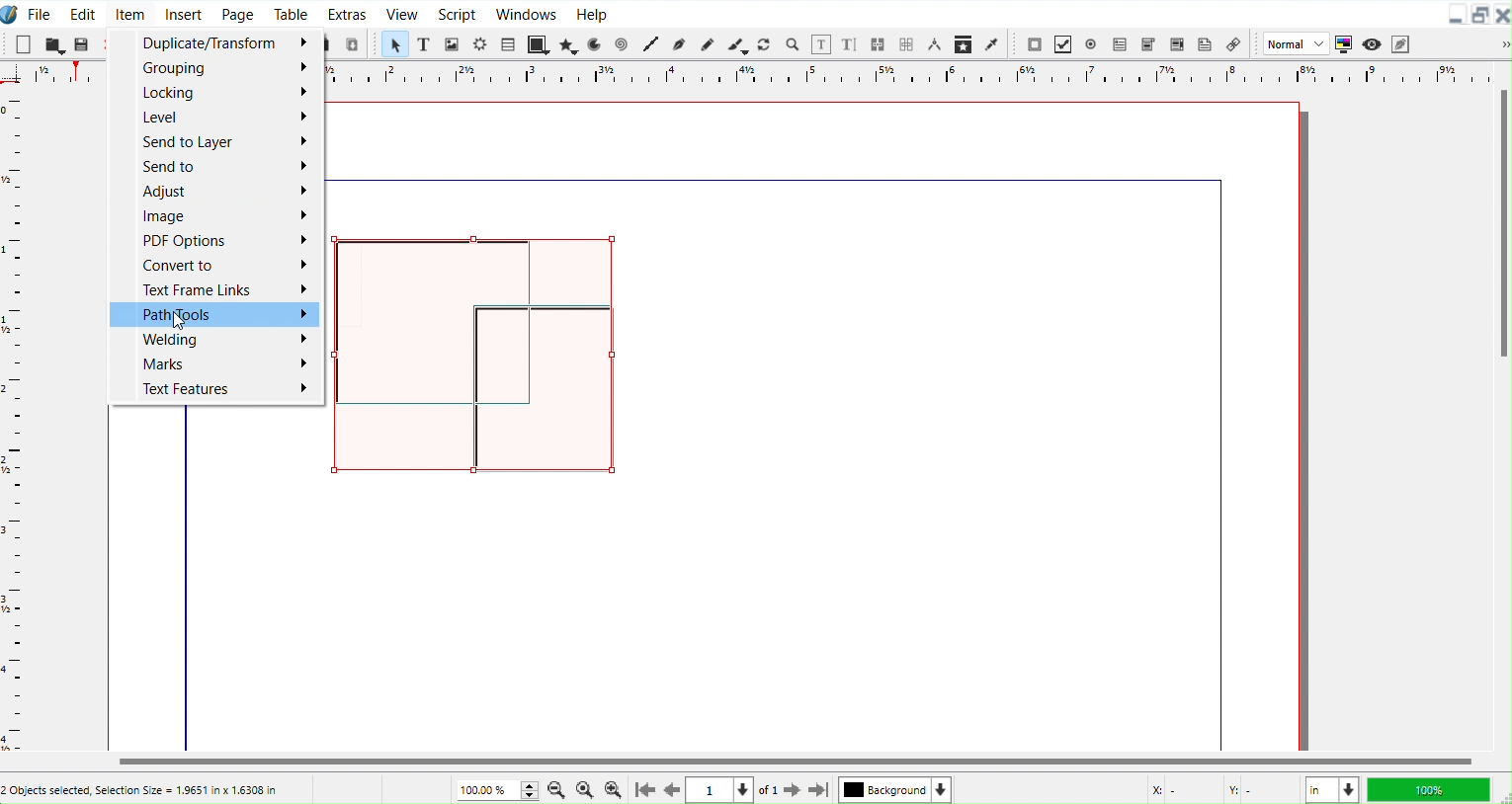 This screenshot has width=1512, height=804. I want to click on Duplicate/Transform, so click(212, 42).